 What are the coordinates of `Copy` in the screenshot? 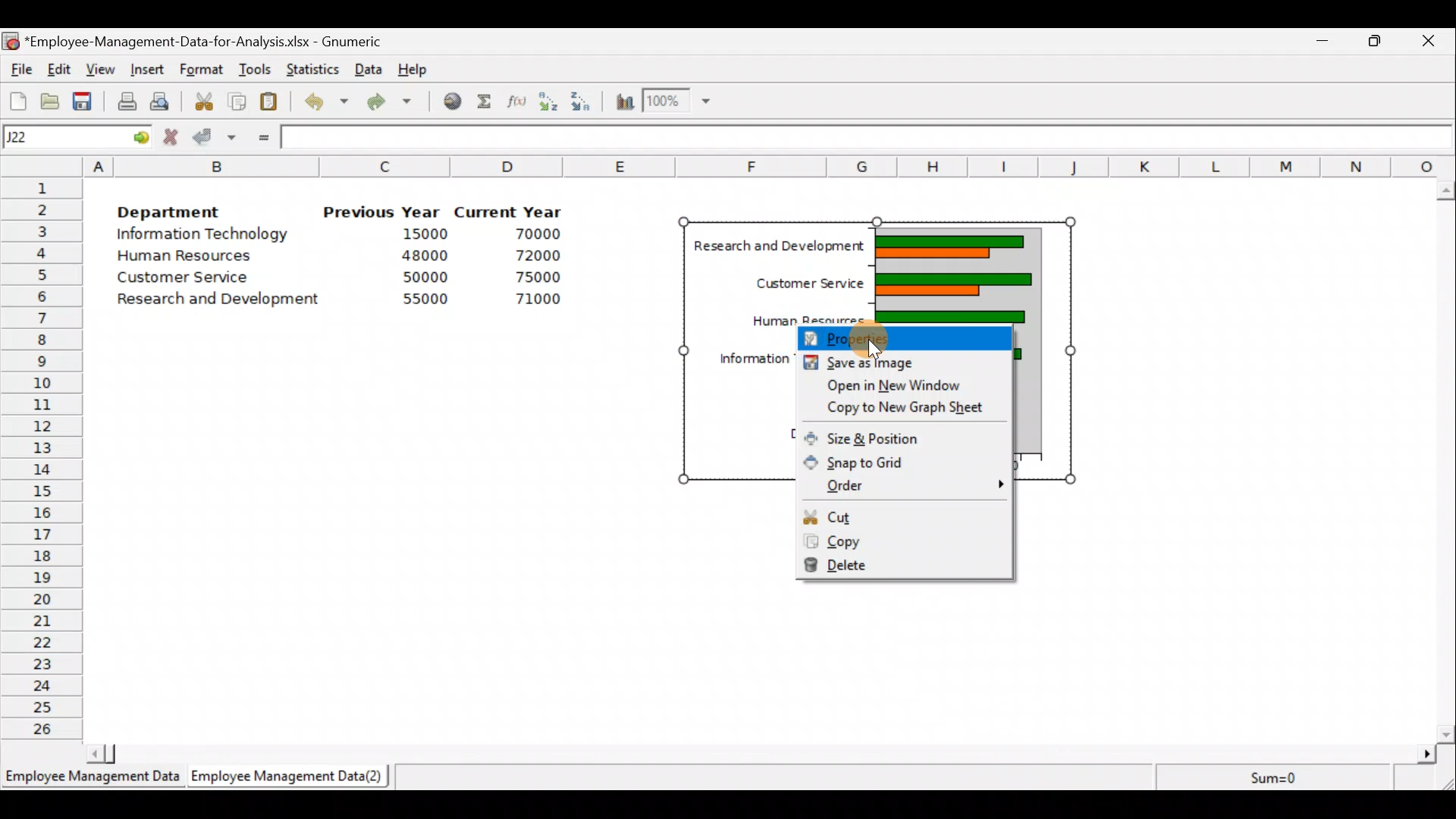 It's located at (857, 540).